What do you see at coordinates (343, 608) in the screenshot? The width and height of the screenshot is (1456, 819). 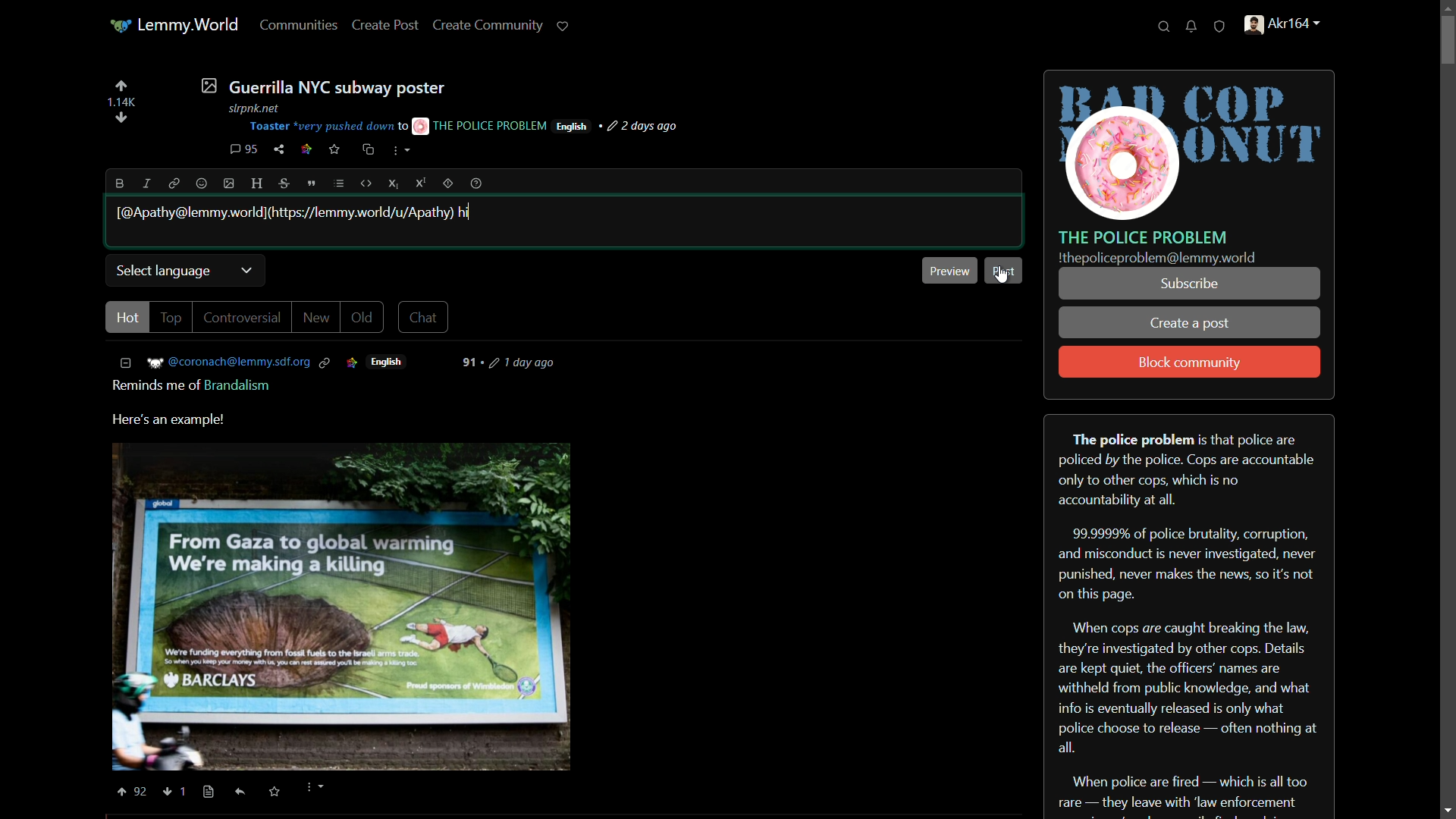 I see `image` at bounding box center [343, 608].